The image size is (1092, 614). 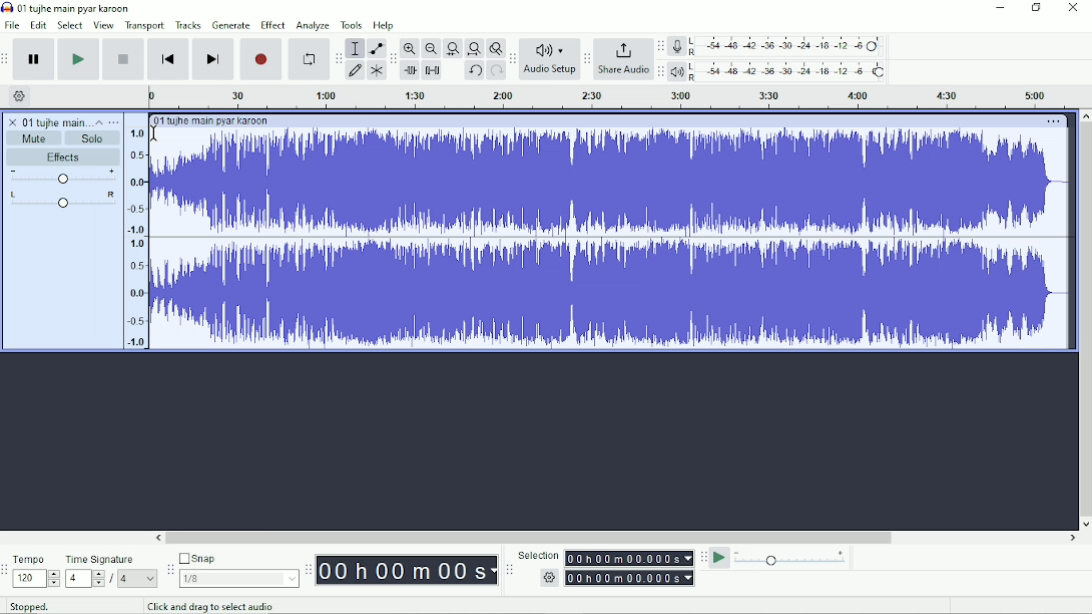 What do you see at coordinates (720, 558) in the screenshot?
I see `Play-at-speed` at bounding box center [720, 558].